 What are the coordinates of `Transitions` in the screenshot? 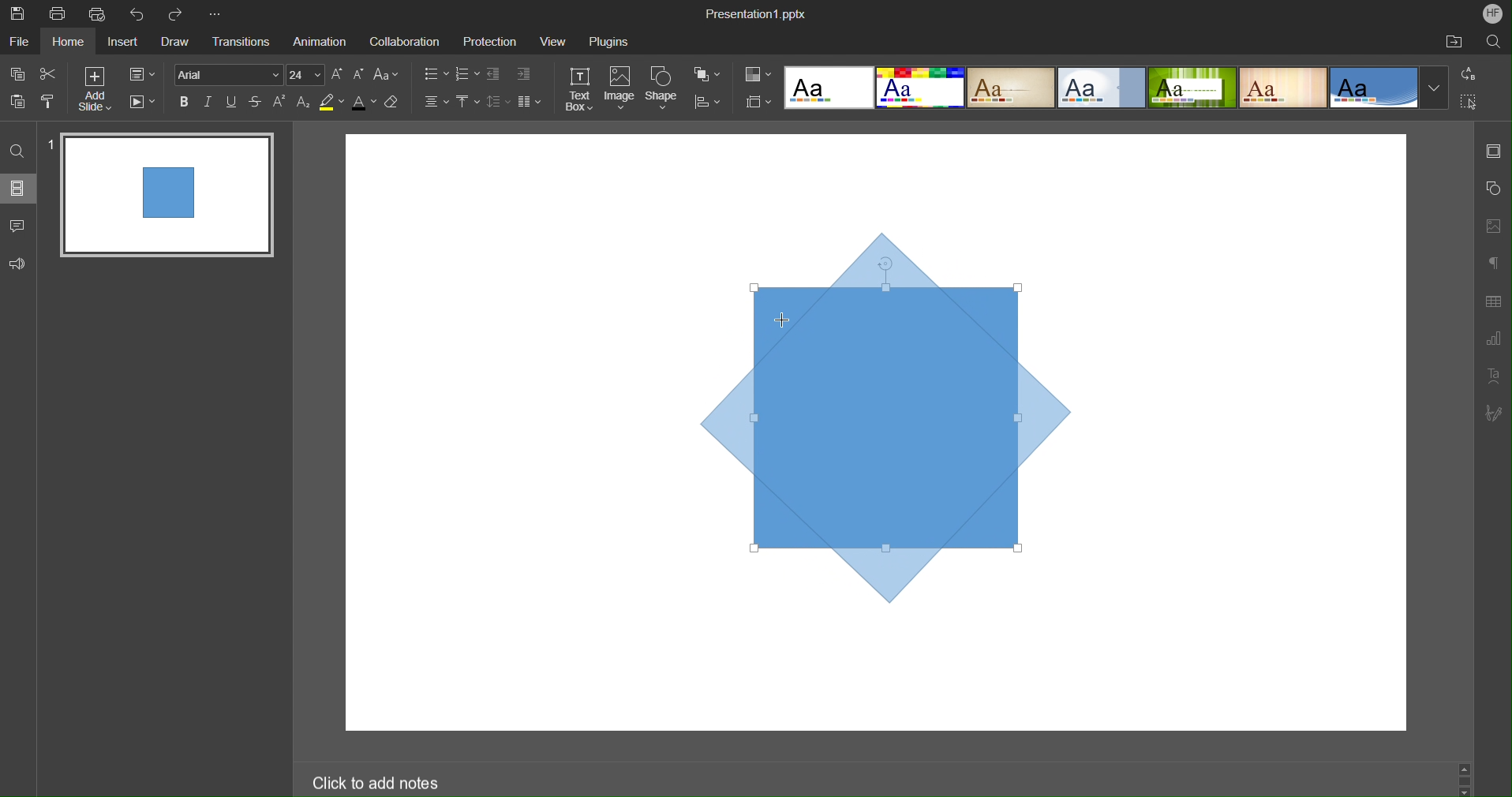 It's located at (238, 40).